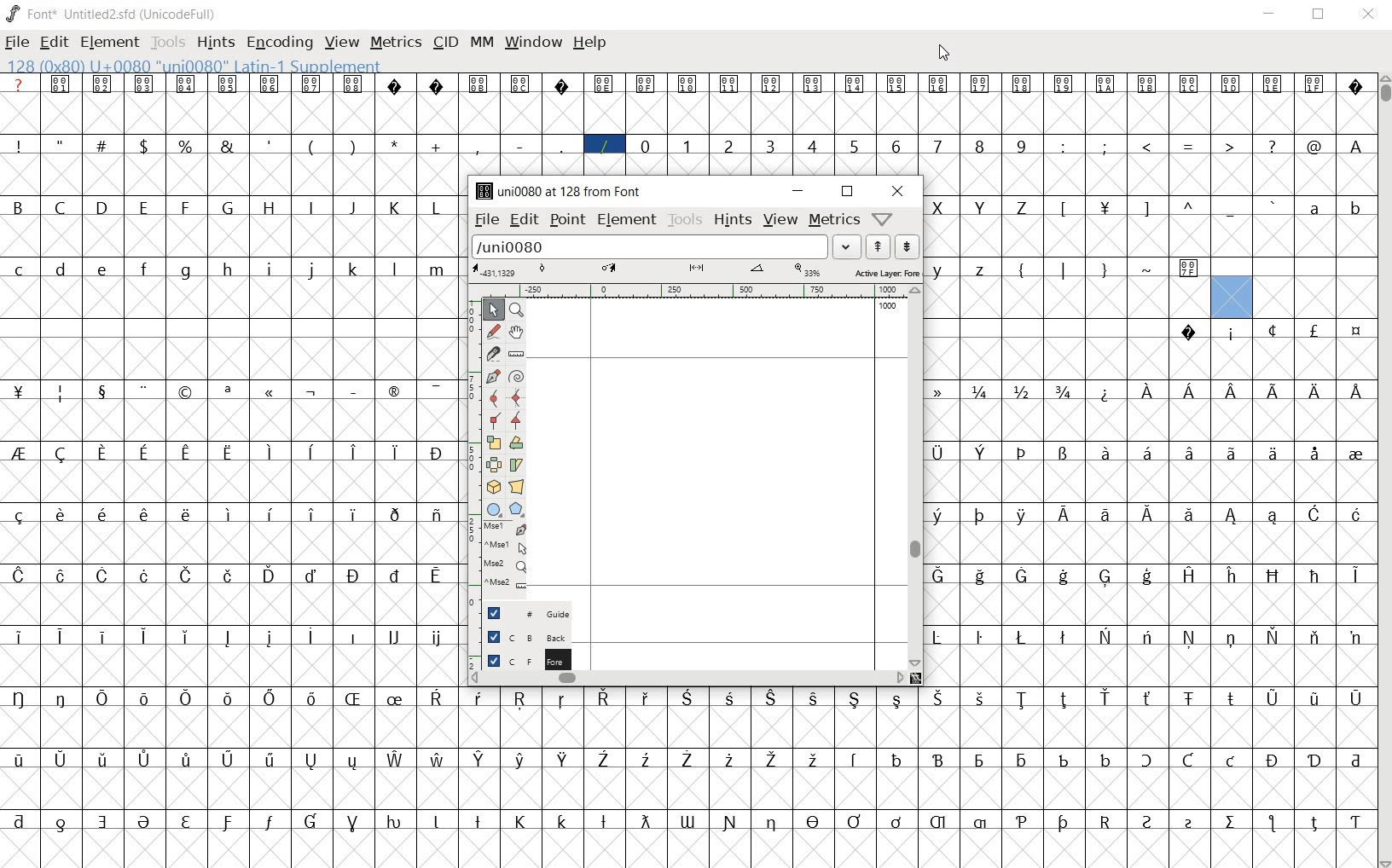 This screenshot has width=1392, height=868. Describe the element at coordinates (562, 146) in the screenshot. I see `glyph` at that location.